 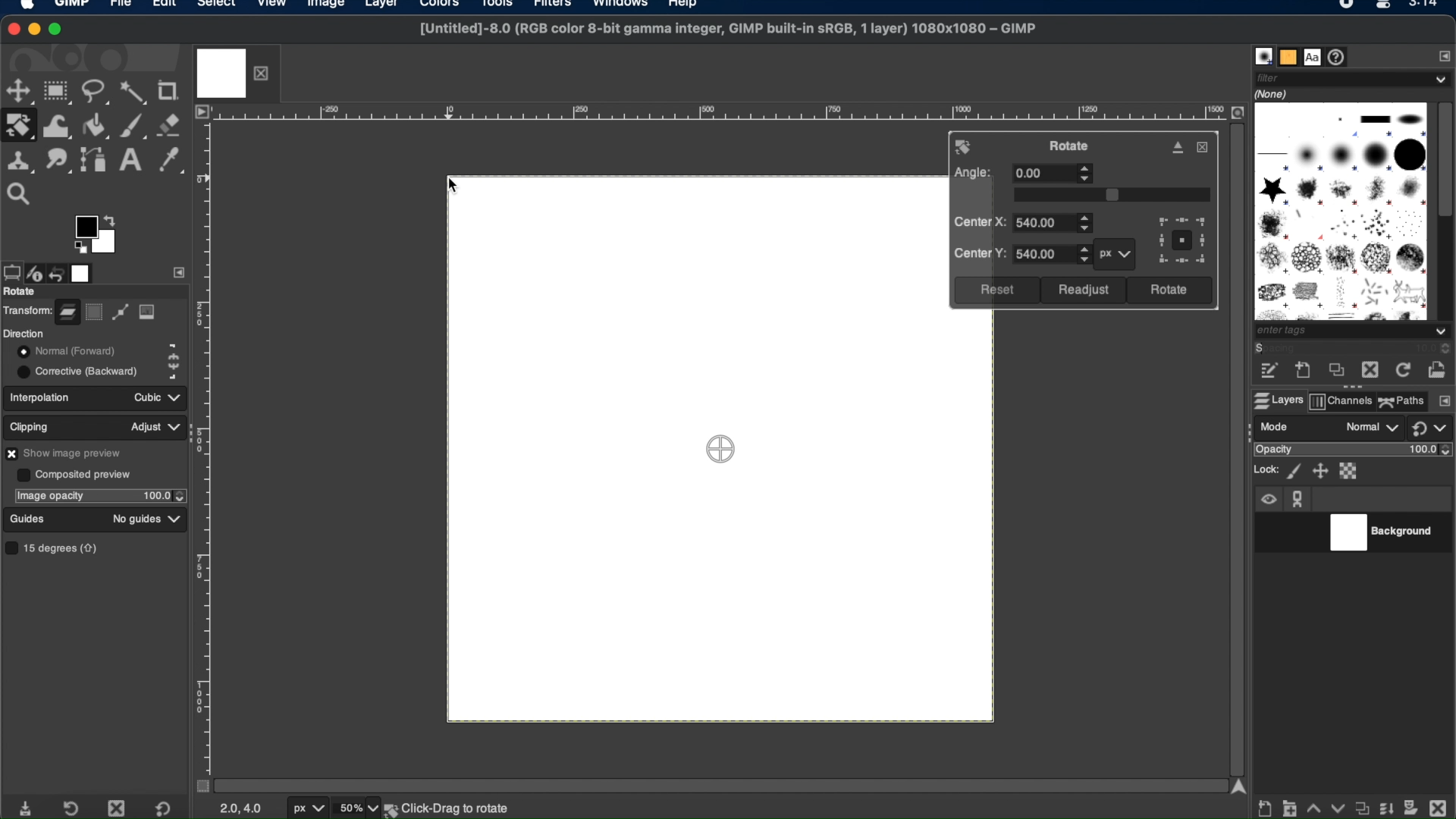 What do you see at coordinates (272, 6) in the screenshot?
I see `view` at bounding box center [272, 6].